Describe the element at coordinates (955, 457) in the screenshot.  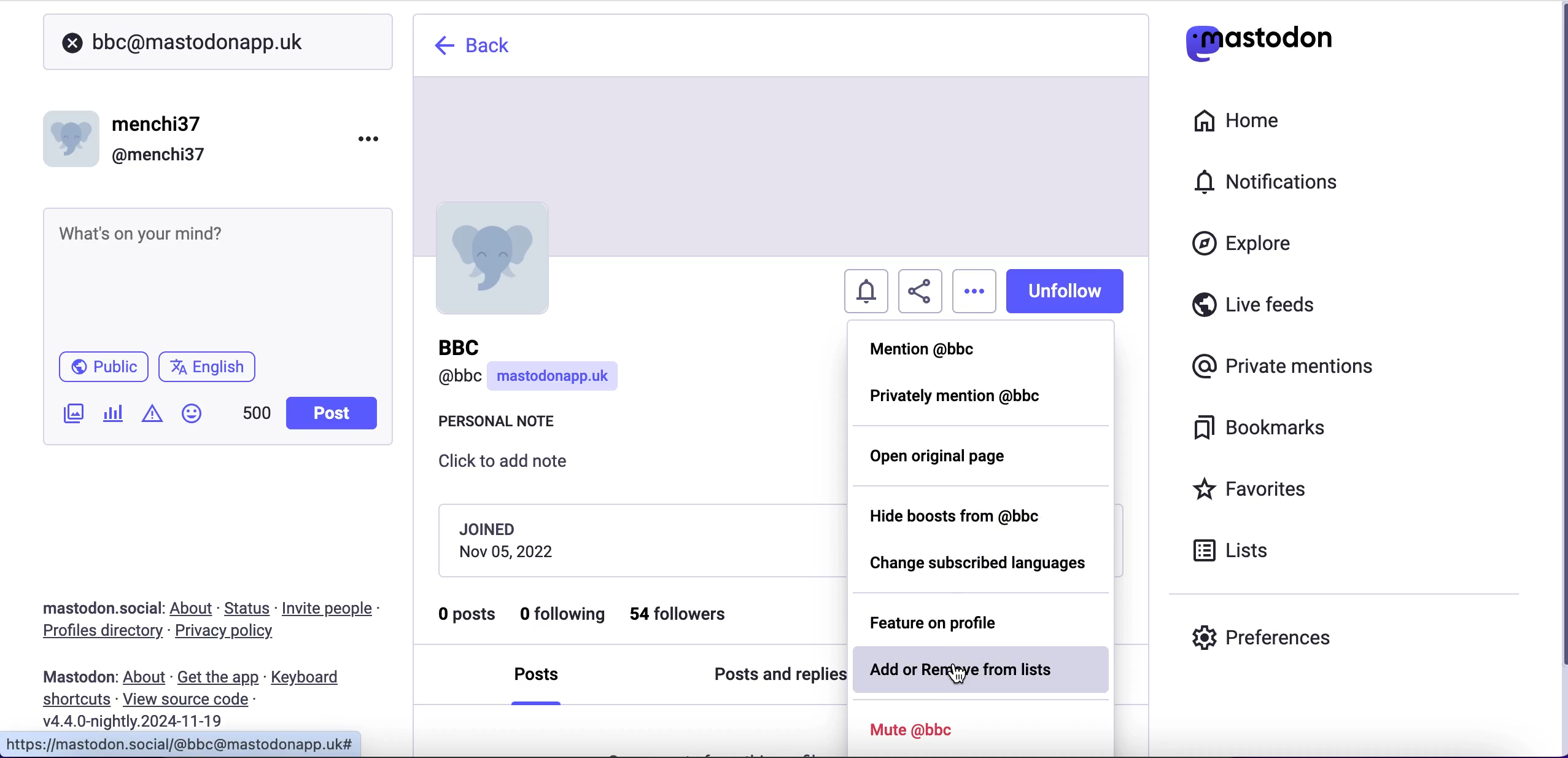
I see `open original page` at that location.